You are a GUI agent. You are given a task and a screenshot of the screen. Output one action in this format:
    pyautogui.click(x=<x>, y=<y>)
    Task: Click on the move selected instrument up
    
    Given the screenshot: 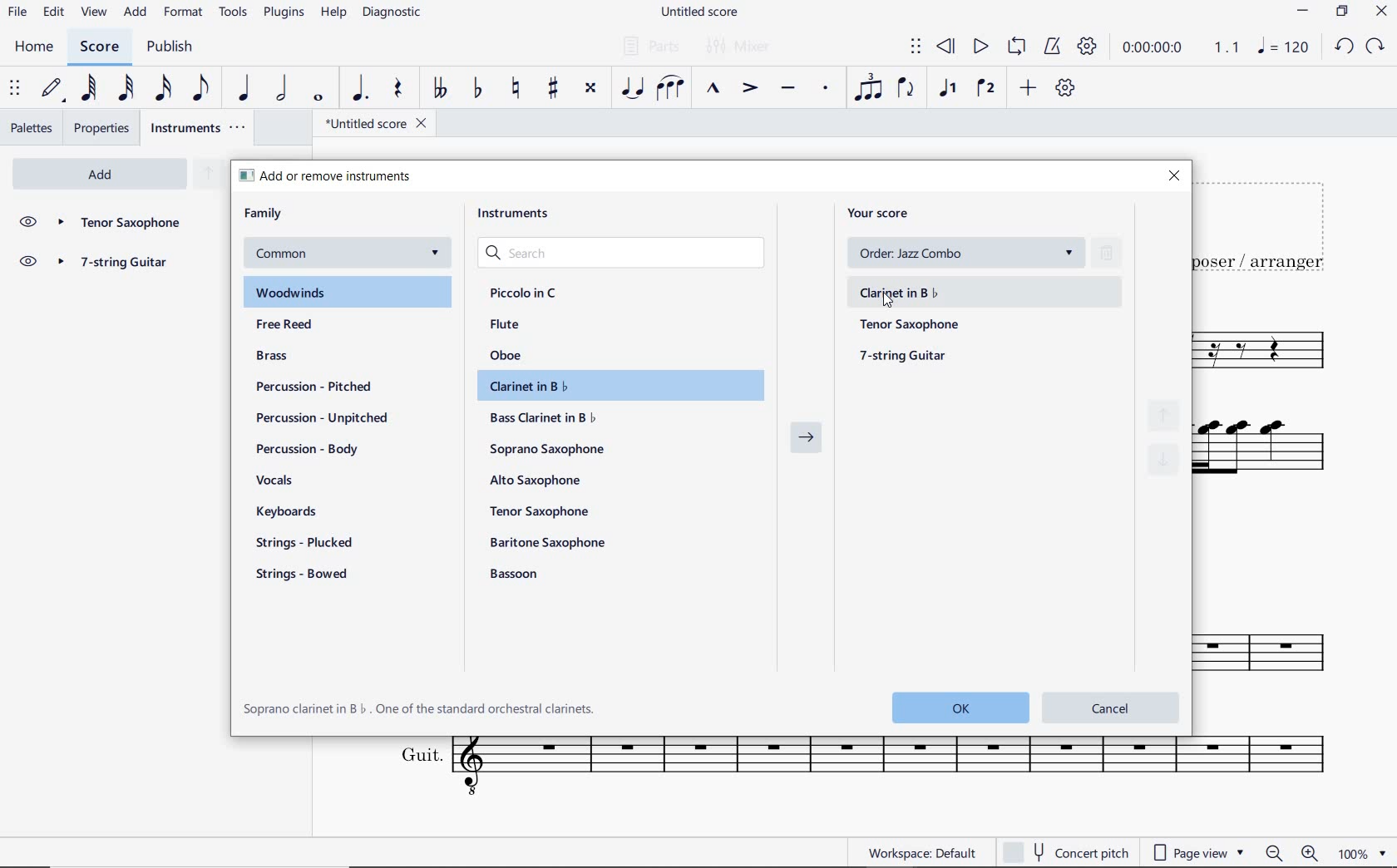 What is the action you would take?
    pyautogui.click(x=1168, y=414)
    